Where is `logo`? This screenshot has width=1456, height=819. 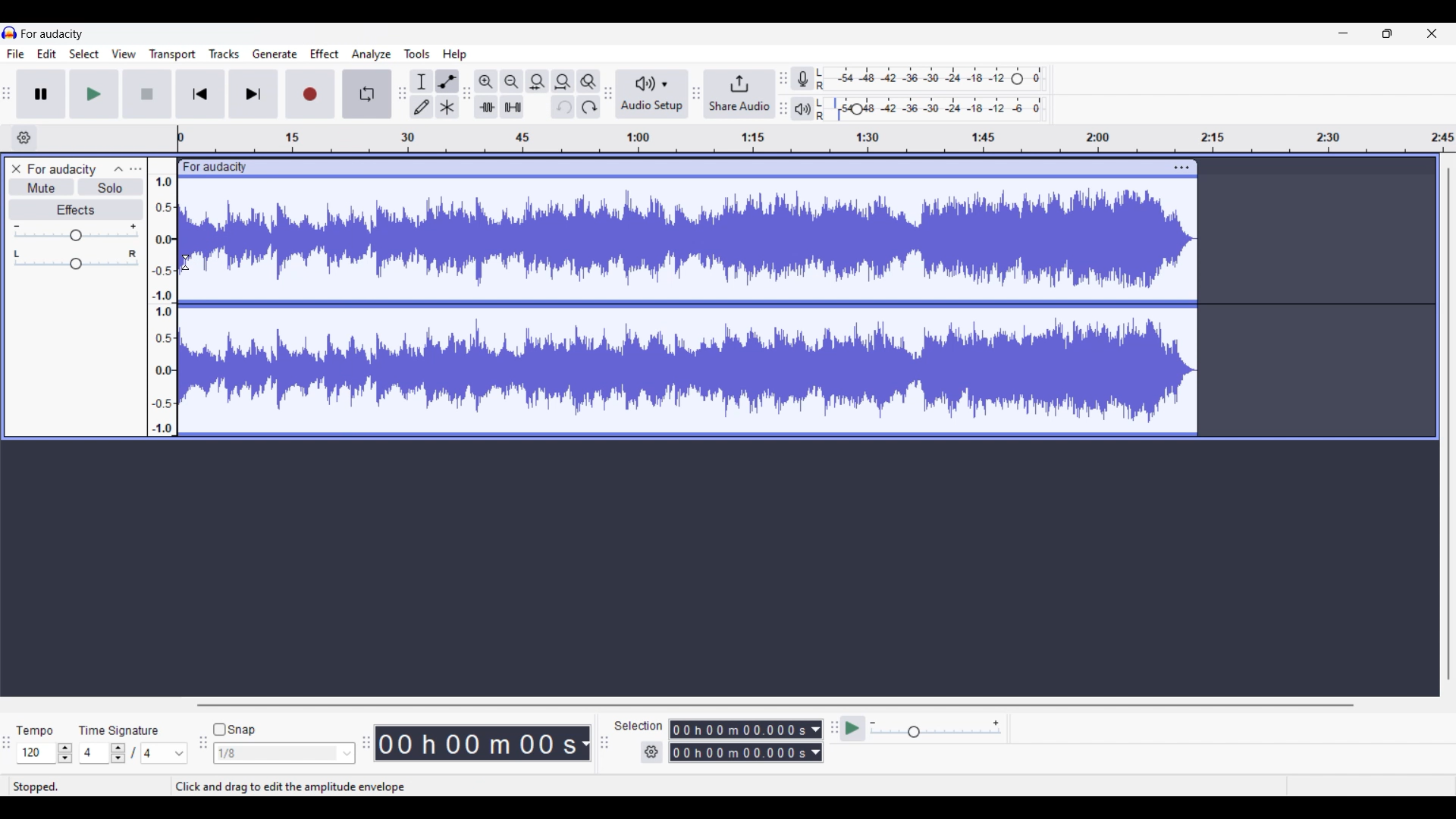
logo is located at coordinates (10, 33).